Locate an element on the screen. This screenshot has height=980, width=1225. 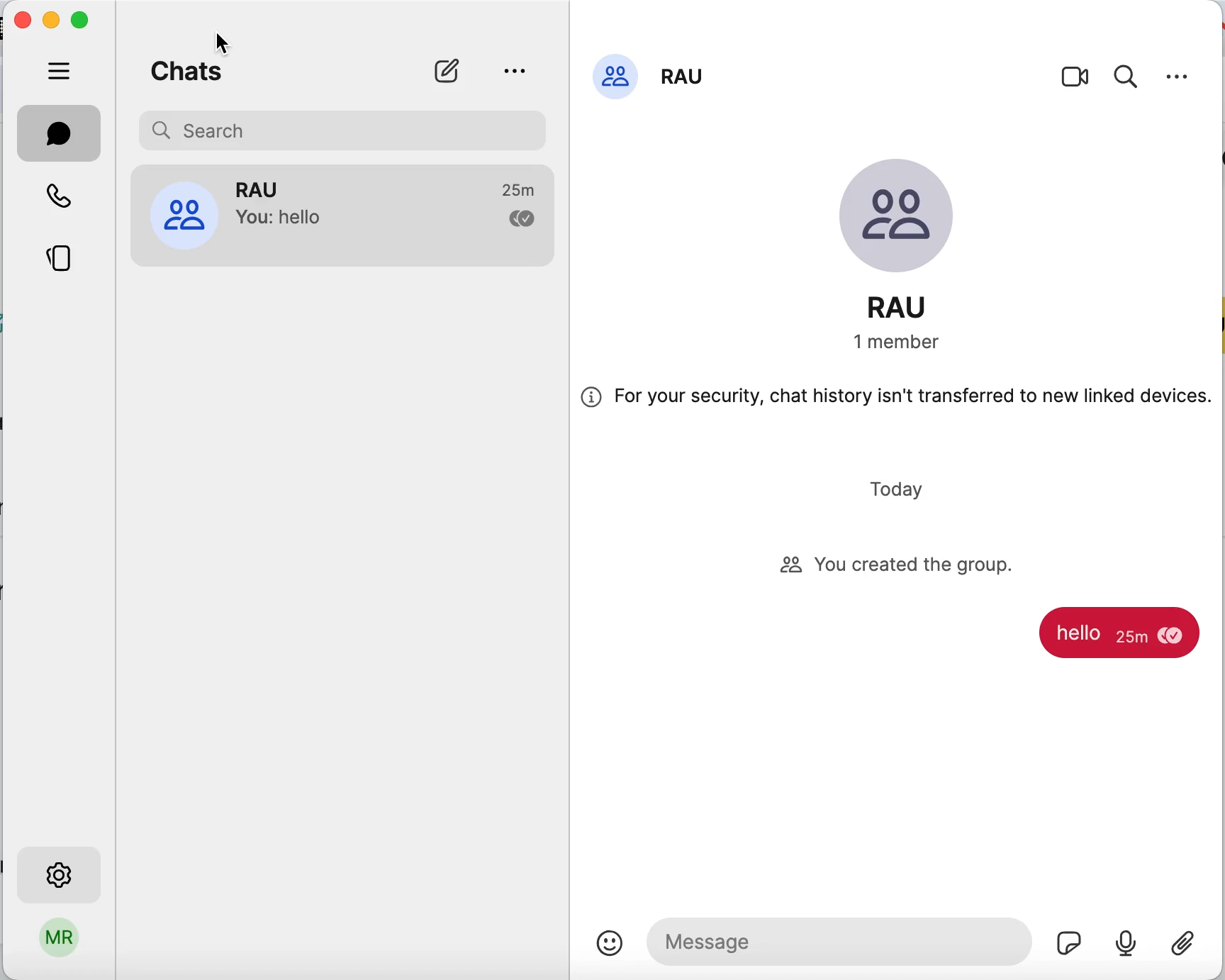
you created the group is located at coordinates (913, 566).